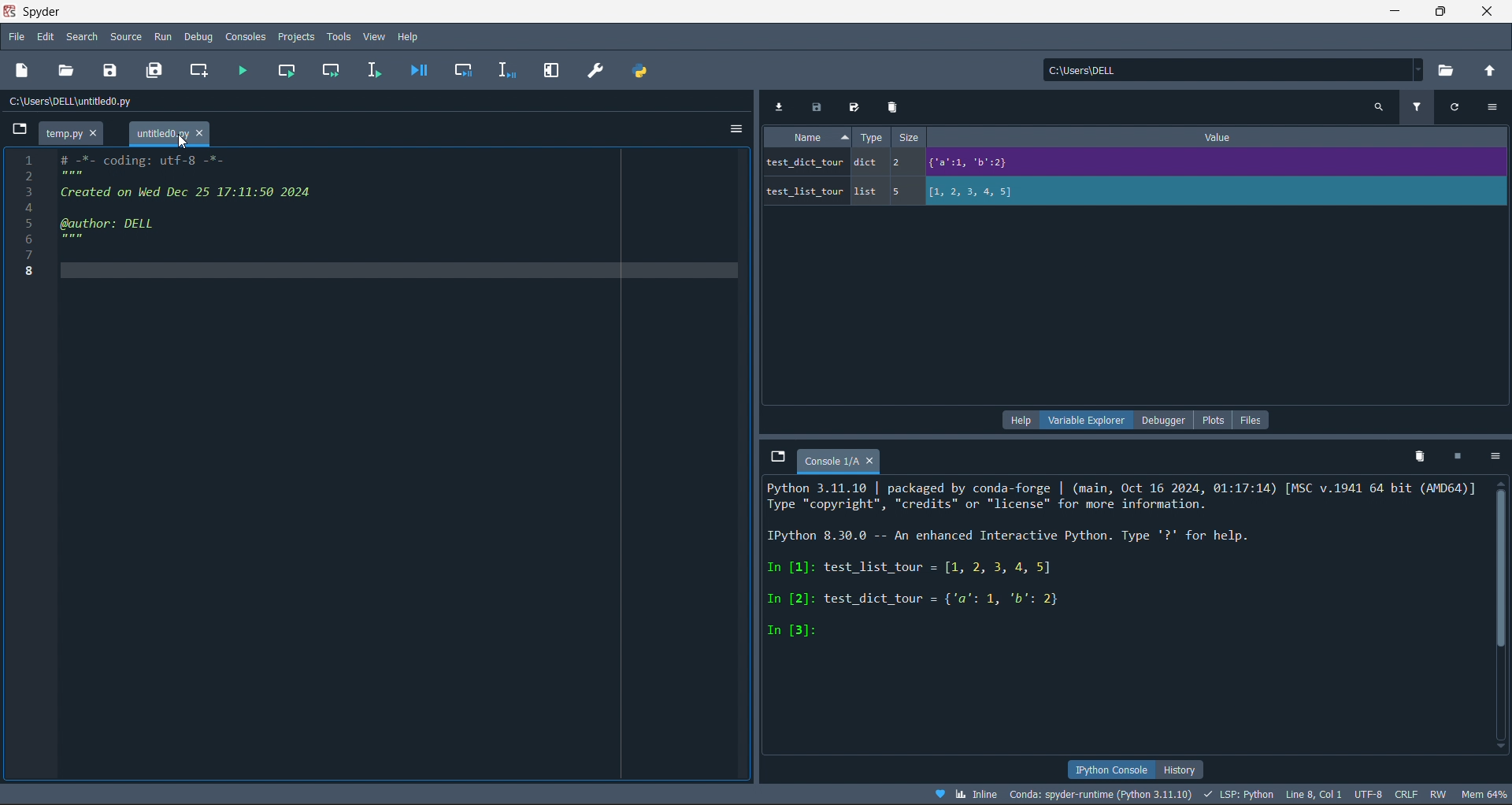 The width and height of the screenshot is (1512, 805). I want to click on debug cell, so click(458, 69).